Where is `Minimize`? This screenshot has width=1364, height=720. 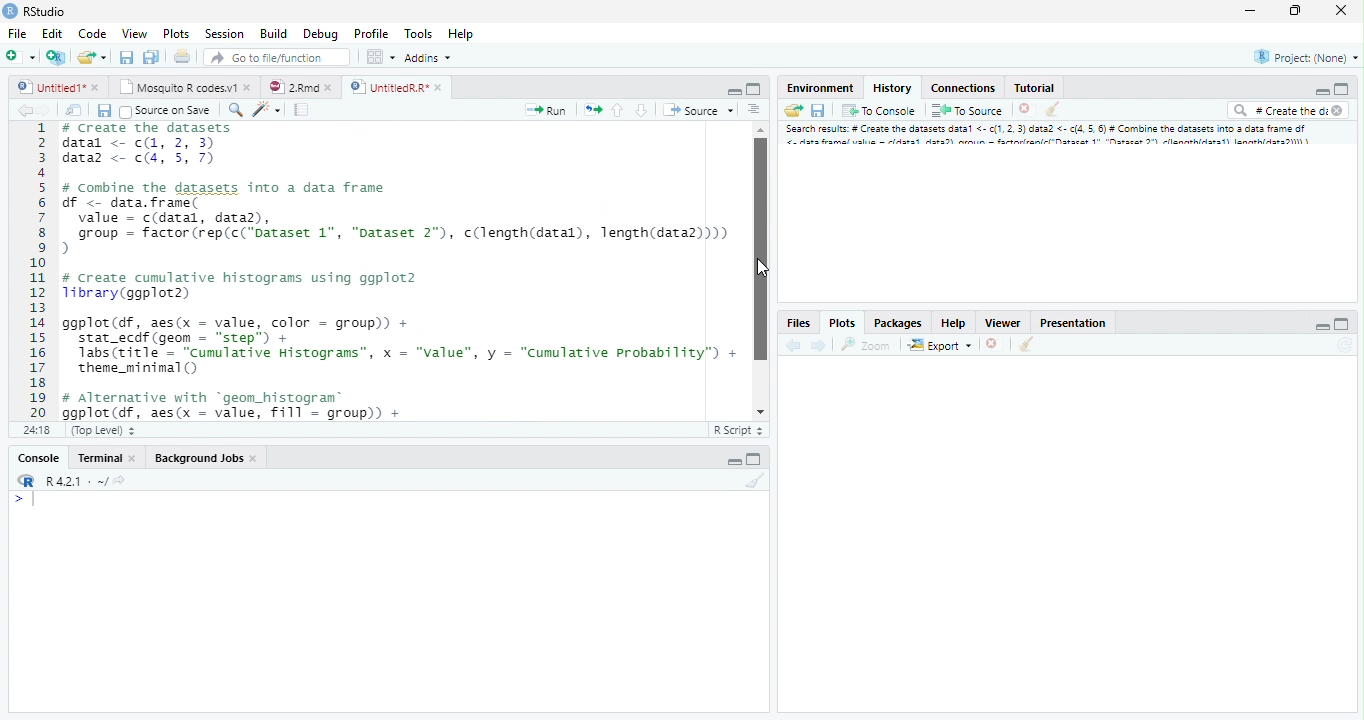 Minimize is located at coordinates (1253, 11).